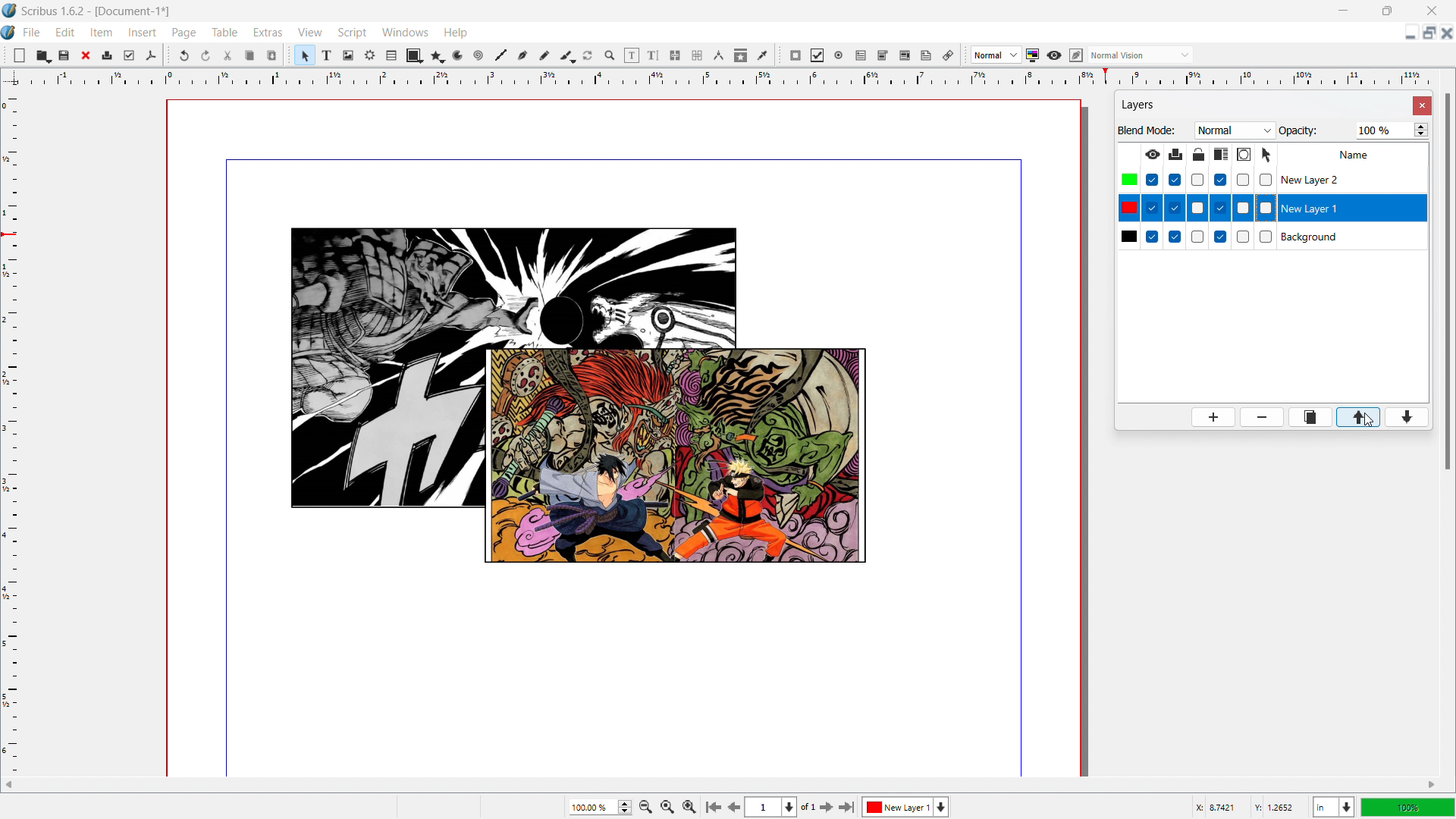 The height and width of the screenshot is (819, 1456). I want to click on background, so click(1351, 235).